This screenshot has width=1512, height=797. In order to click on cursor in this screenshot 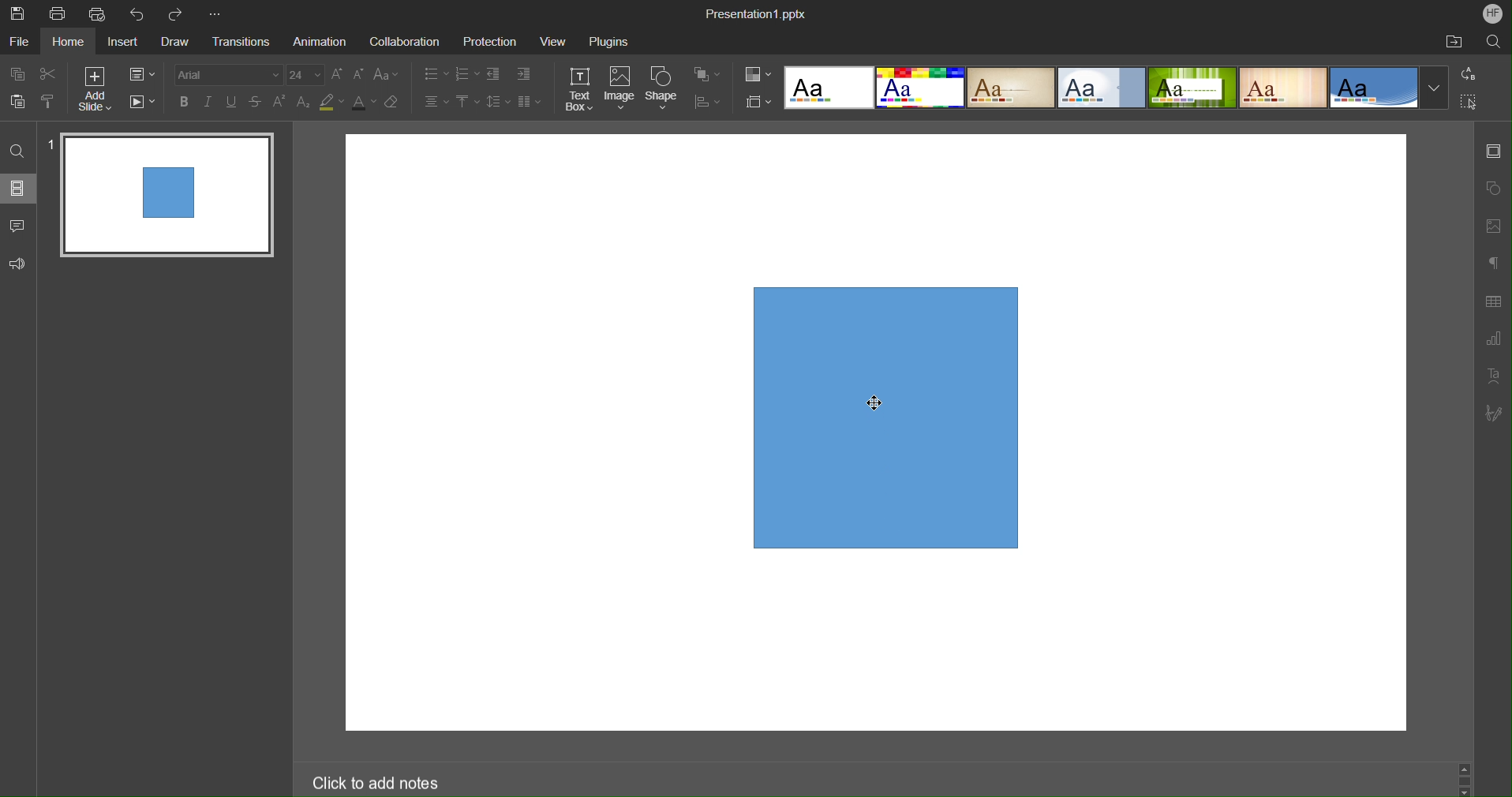, I will do `click(877, 402)`.